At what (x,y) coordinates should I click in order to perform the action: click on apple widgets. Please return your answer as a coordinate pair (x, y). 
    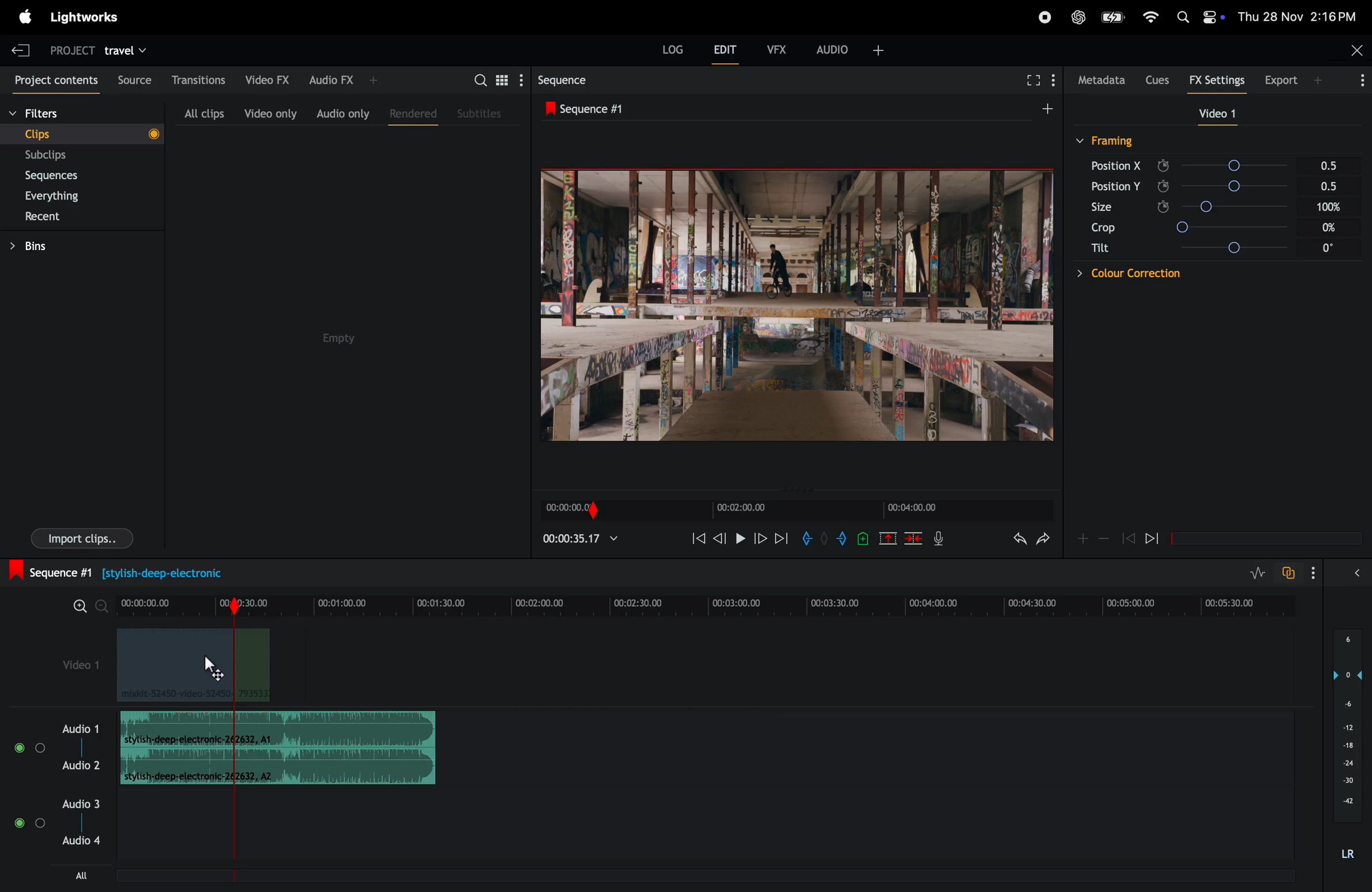
    Looking at the image, I should click on (1198, 14).